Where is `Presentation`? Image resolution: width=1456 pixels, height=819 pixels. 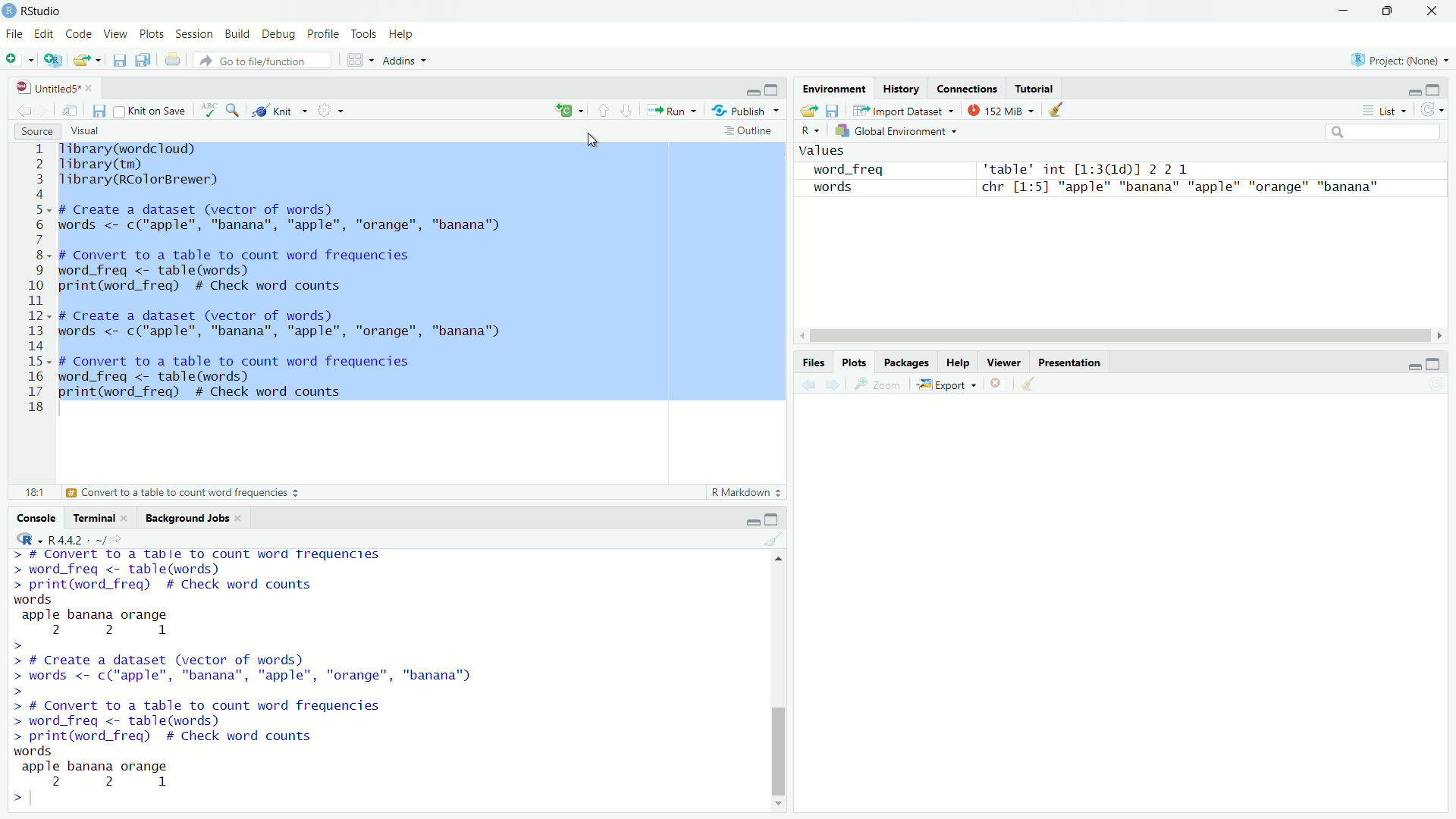 Presentation is located at coordinates (1069, 361).